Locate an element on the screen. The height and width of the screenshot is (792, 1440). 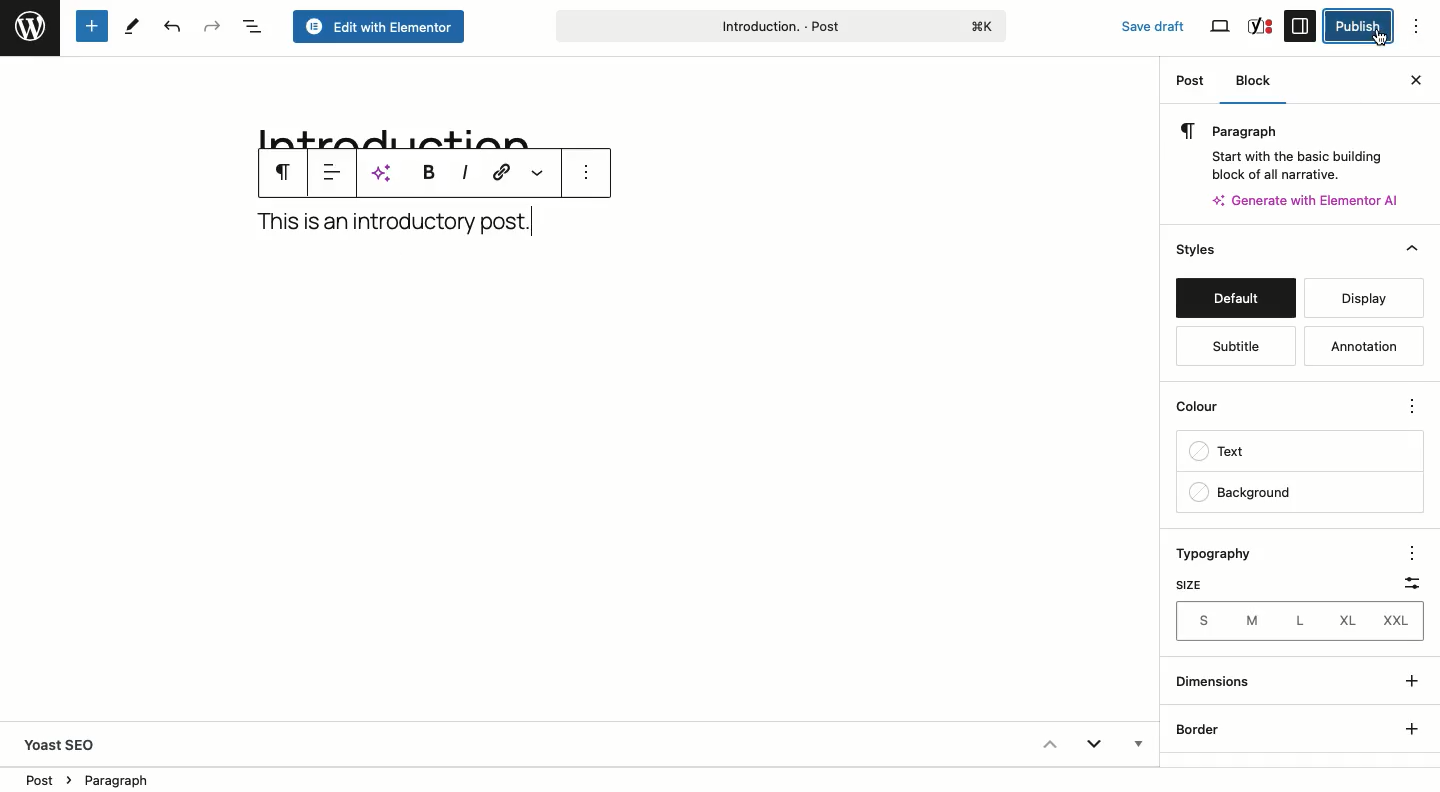
Paragraph is located at coordinates (282, 171).